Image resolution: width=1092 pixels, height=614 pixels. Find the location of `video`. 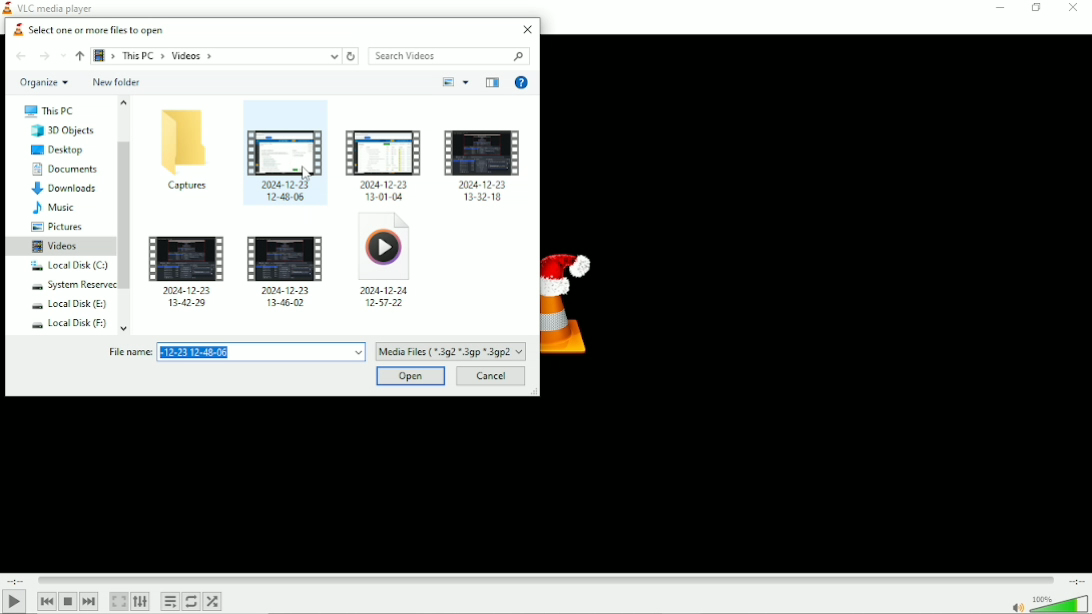

video is located at coordinates (282, 163).